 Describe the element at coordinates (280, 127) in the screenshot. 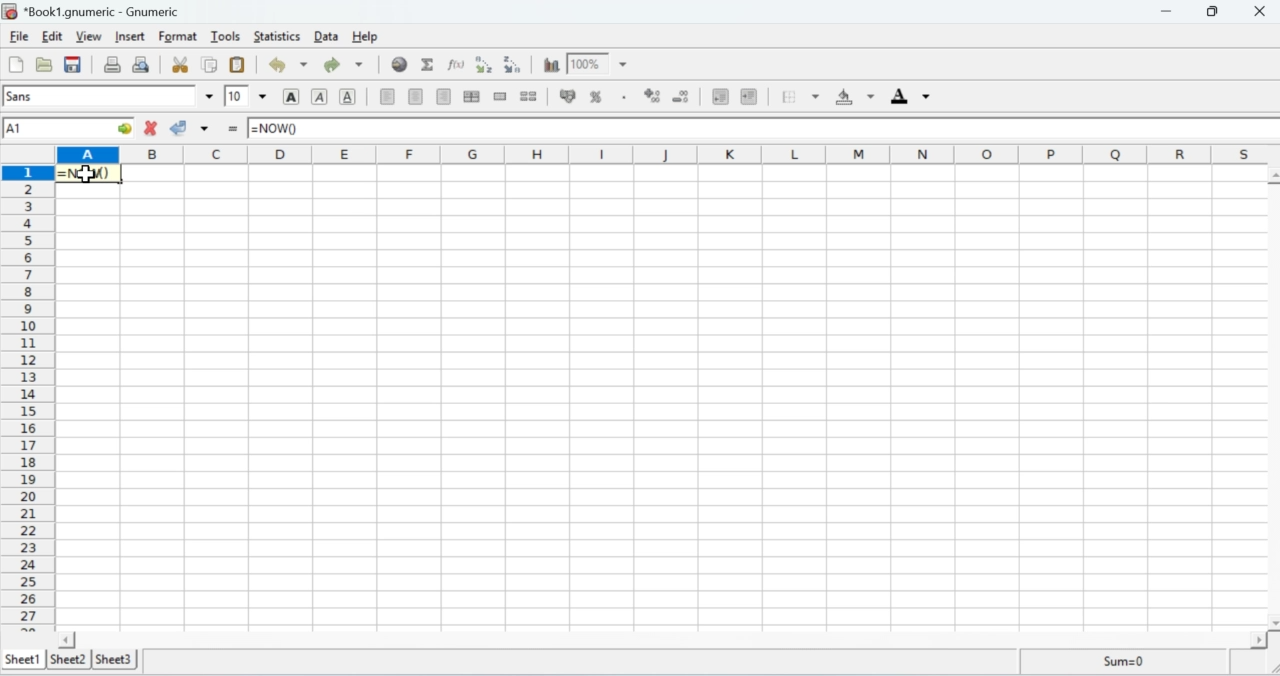

I see `Type "=NOW()"` at that location.